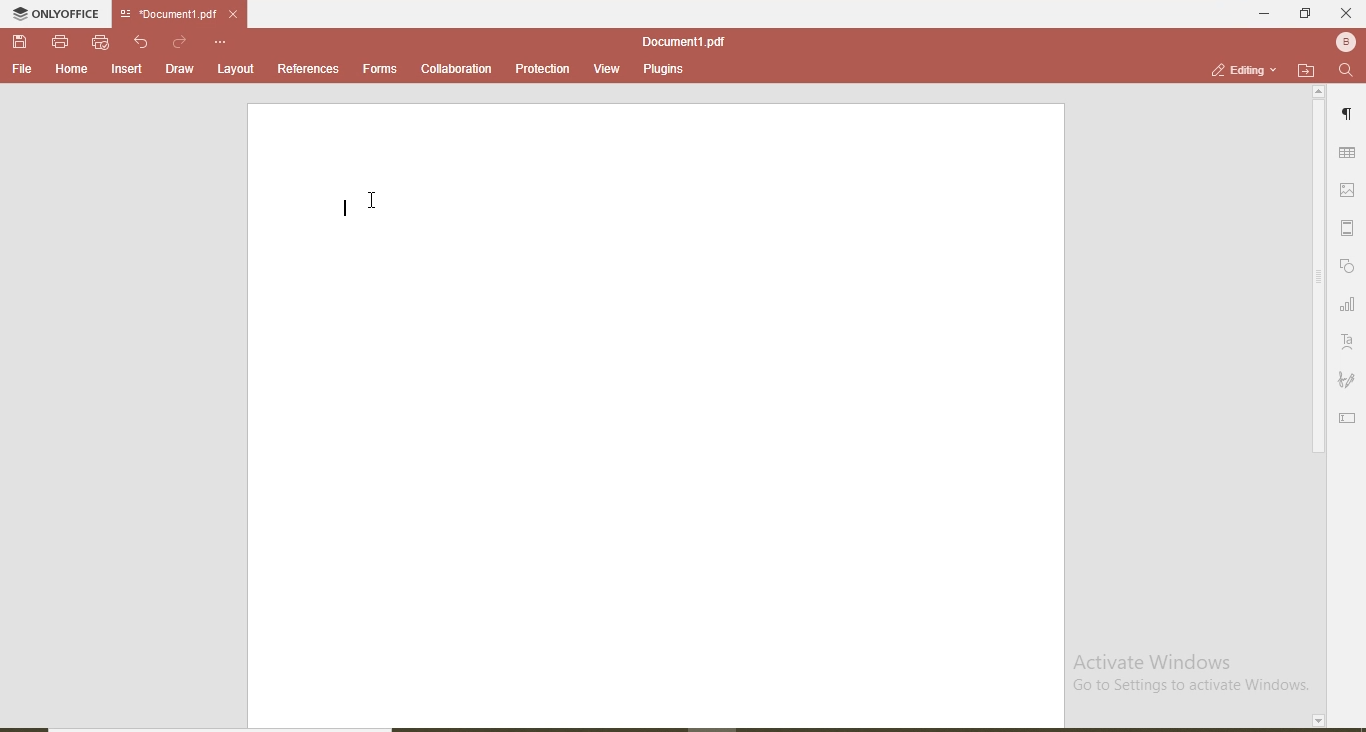 The width and height of the screenshot is (1366, 732). I want to click on references, so click(308, 68).